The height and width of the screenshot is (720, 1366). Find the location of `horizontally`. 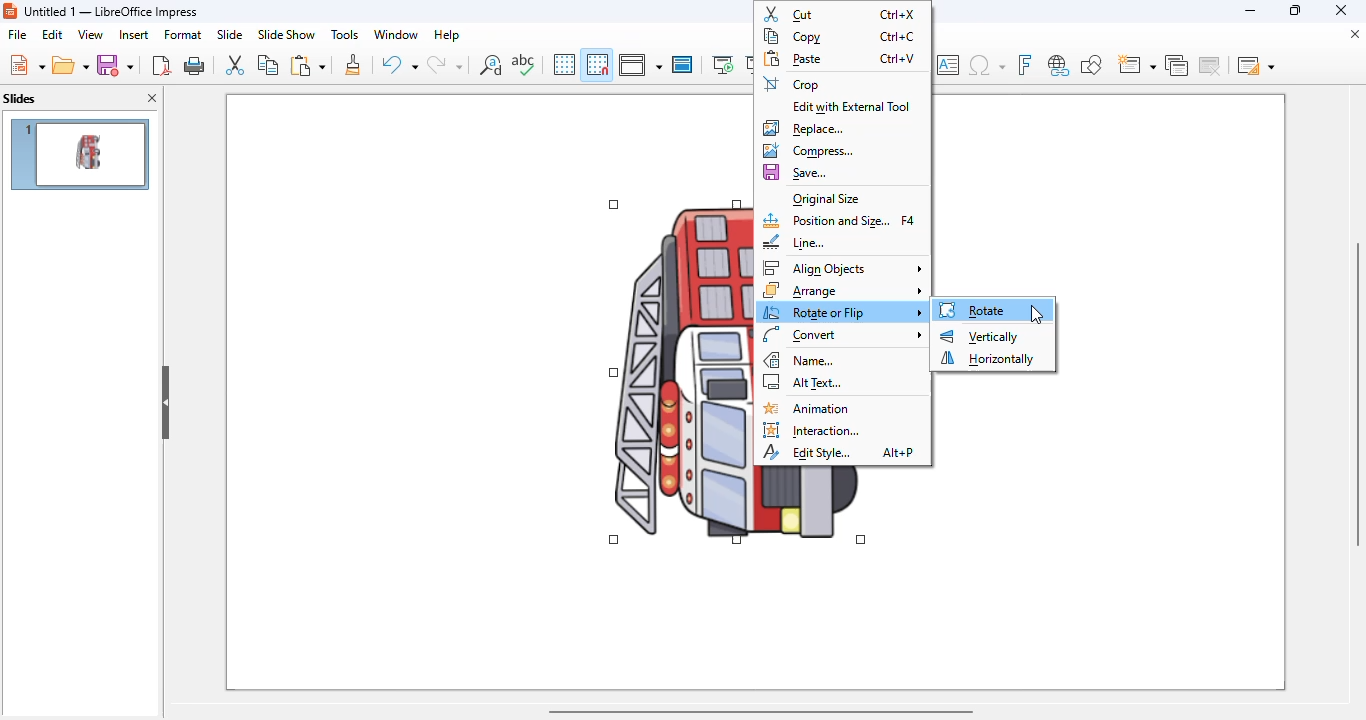

horizontally is located at coordinates (988, 358).